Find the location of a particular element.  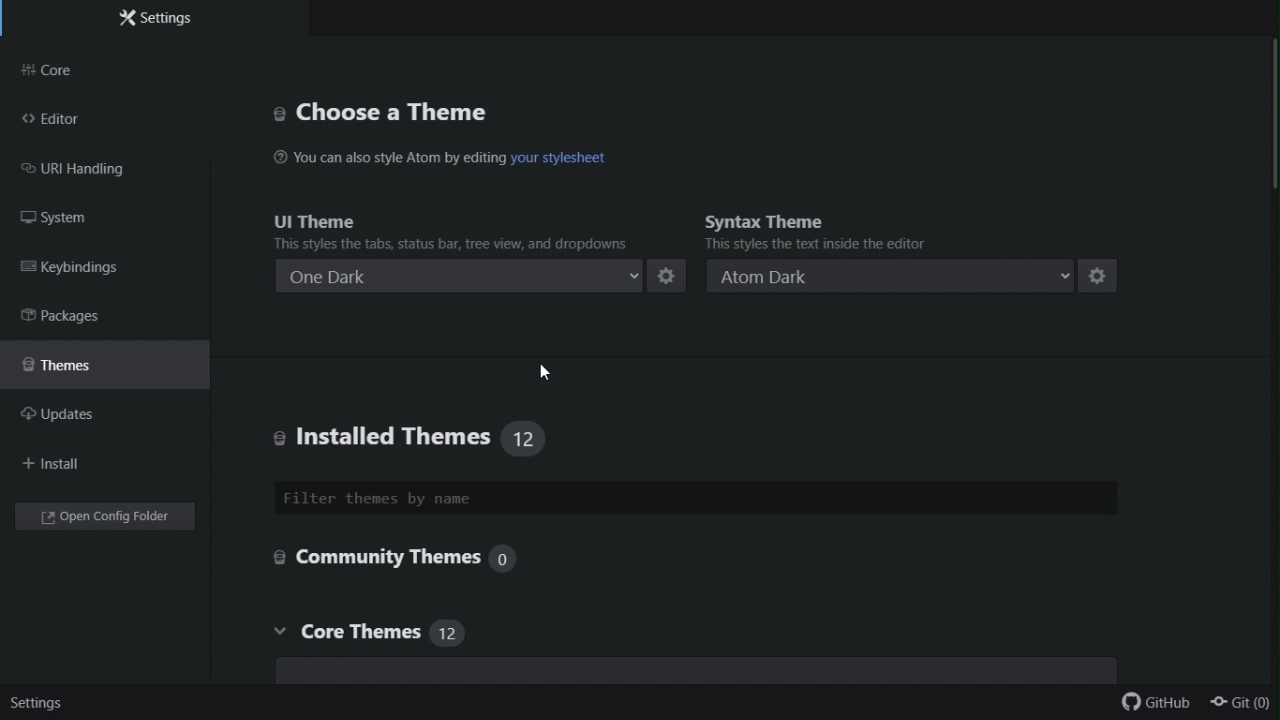

git is located at coordinates (1242, 704).